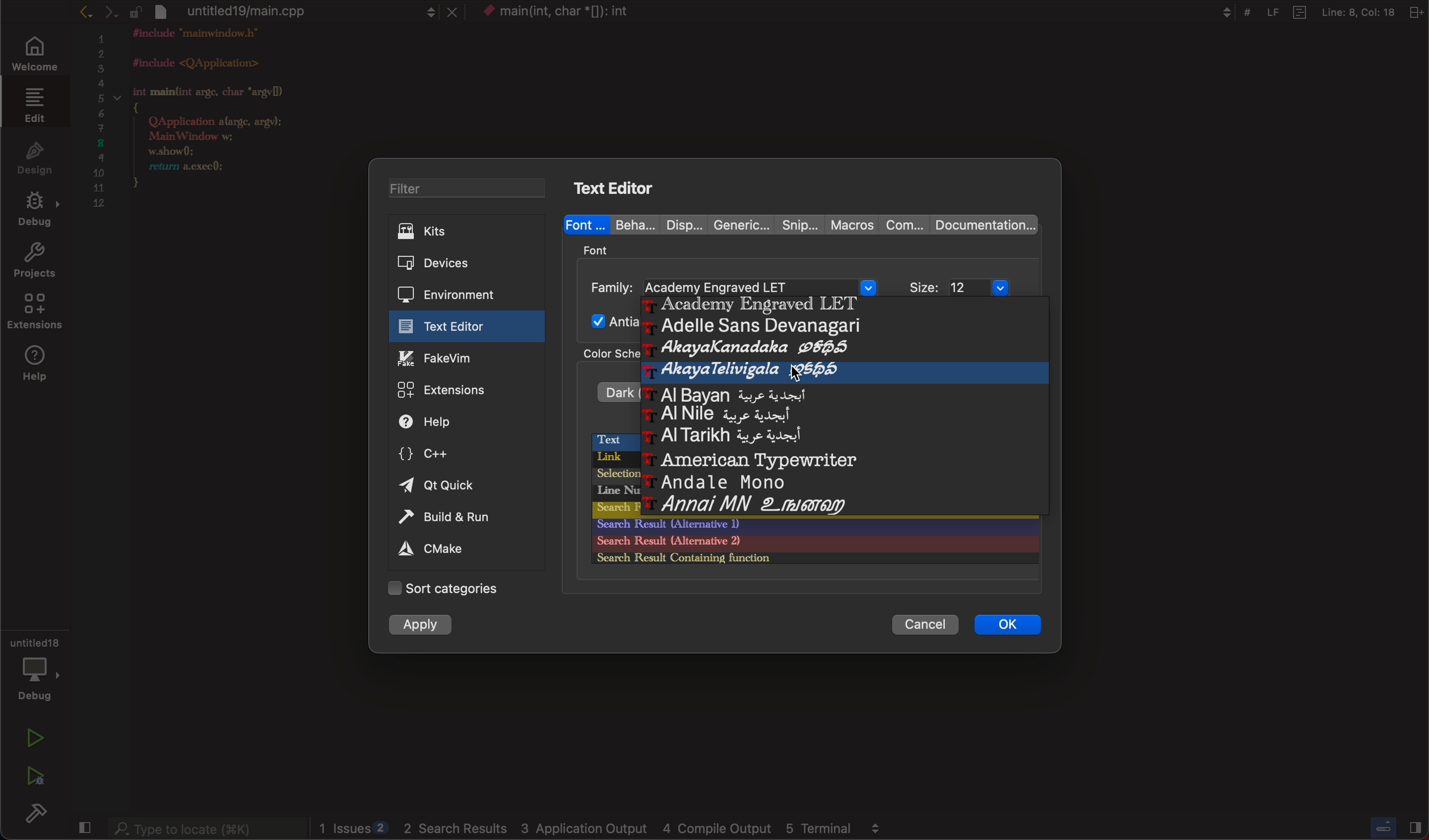 The height and width of the screenshot is (840, 1429). I want to click on ANDALE MONO, so click(717, 480).